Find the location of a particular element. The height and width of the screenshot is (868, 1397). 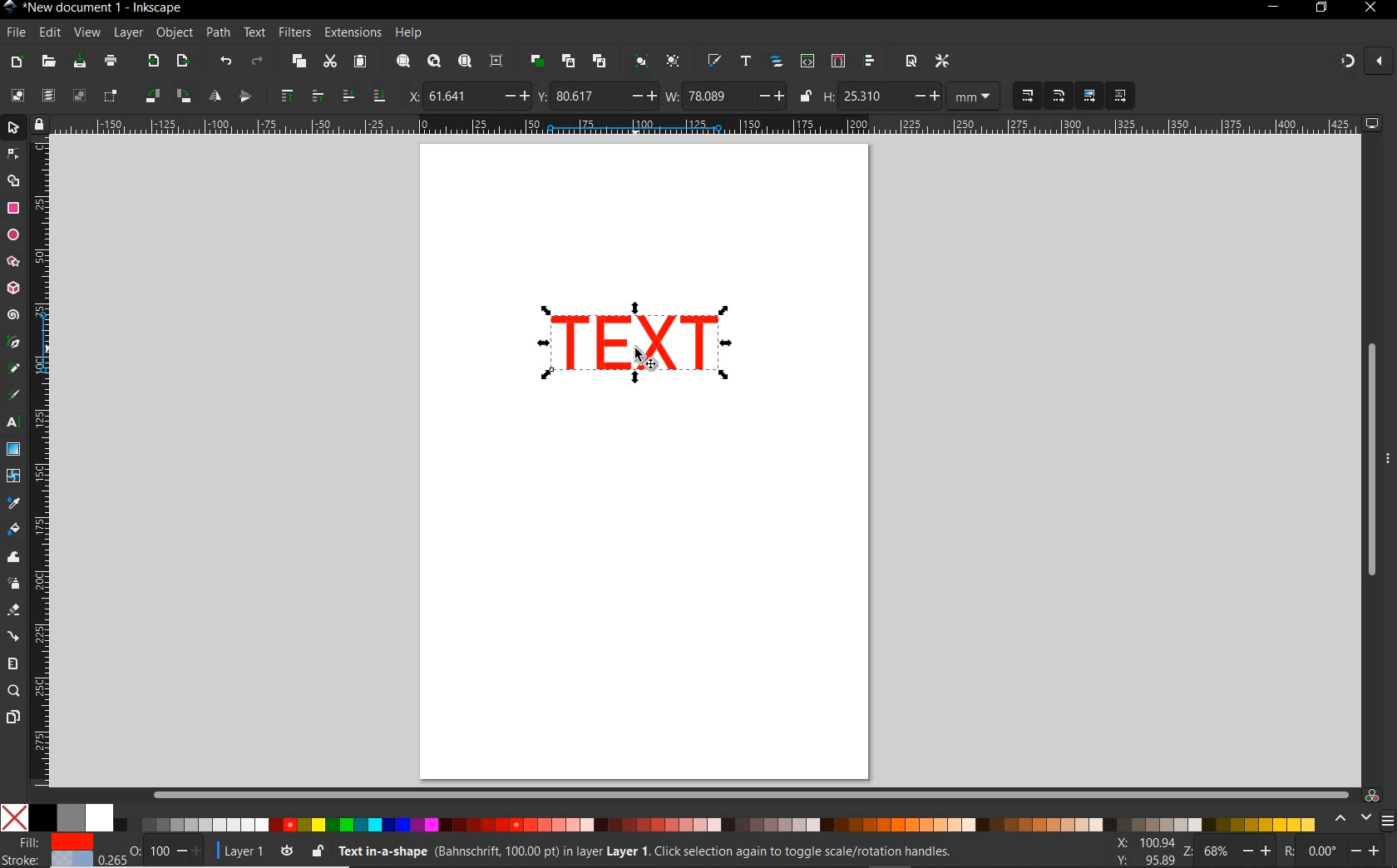

eraser tool is located at coordinates (12, 611).